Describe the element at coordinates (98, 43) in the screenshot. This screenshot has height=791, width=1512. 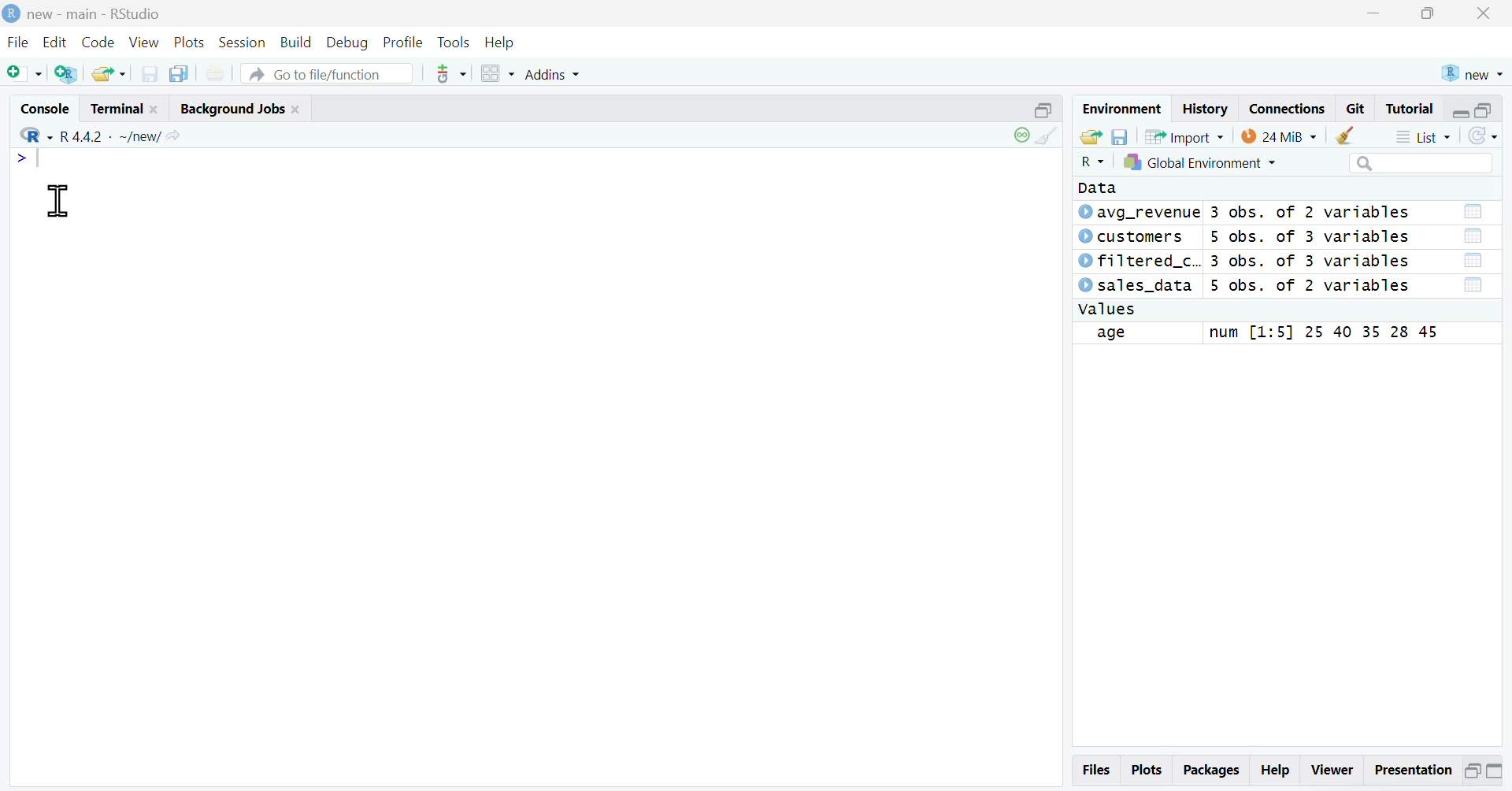
I see `Code` at that location.